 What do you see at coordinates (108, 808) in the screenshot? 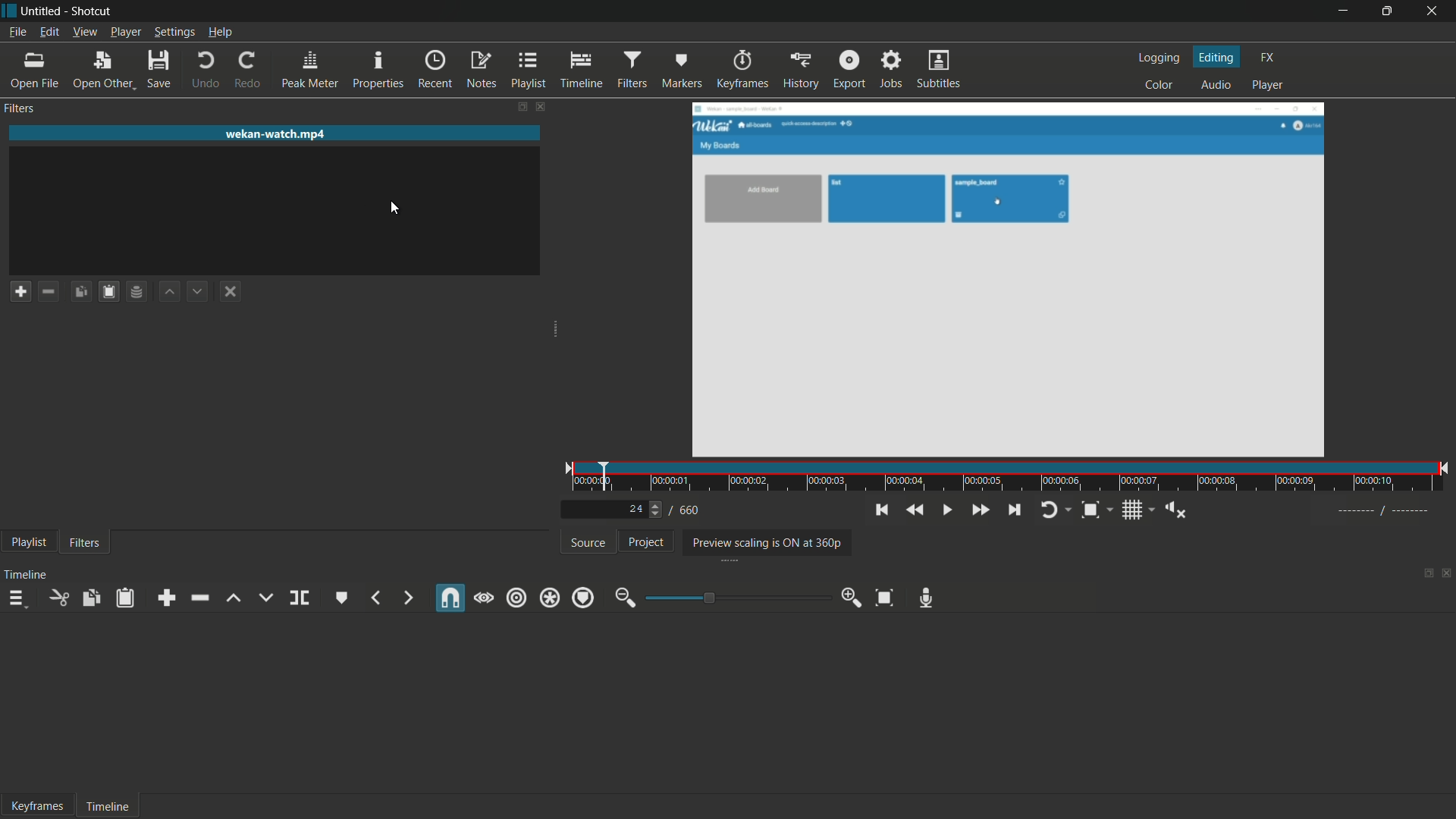
I see `timeline` at bounding box center [108, 808].